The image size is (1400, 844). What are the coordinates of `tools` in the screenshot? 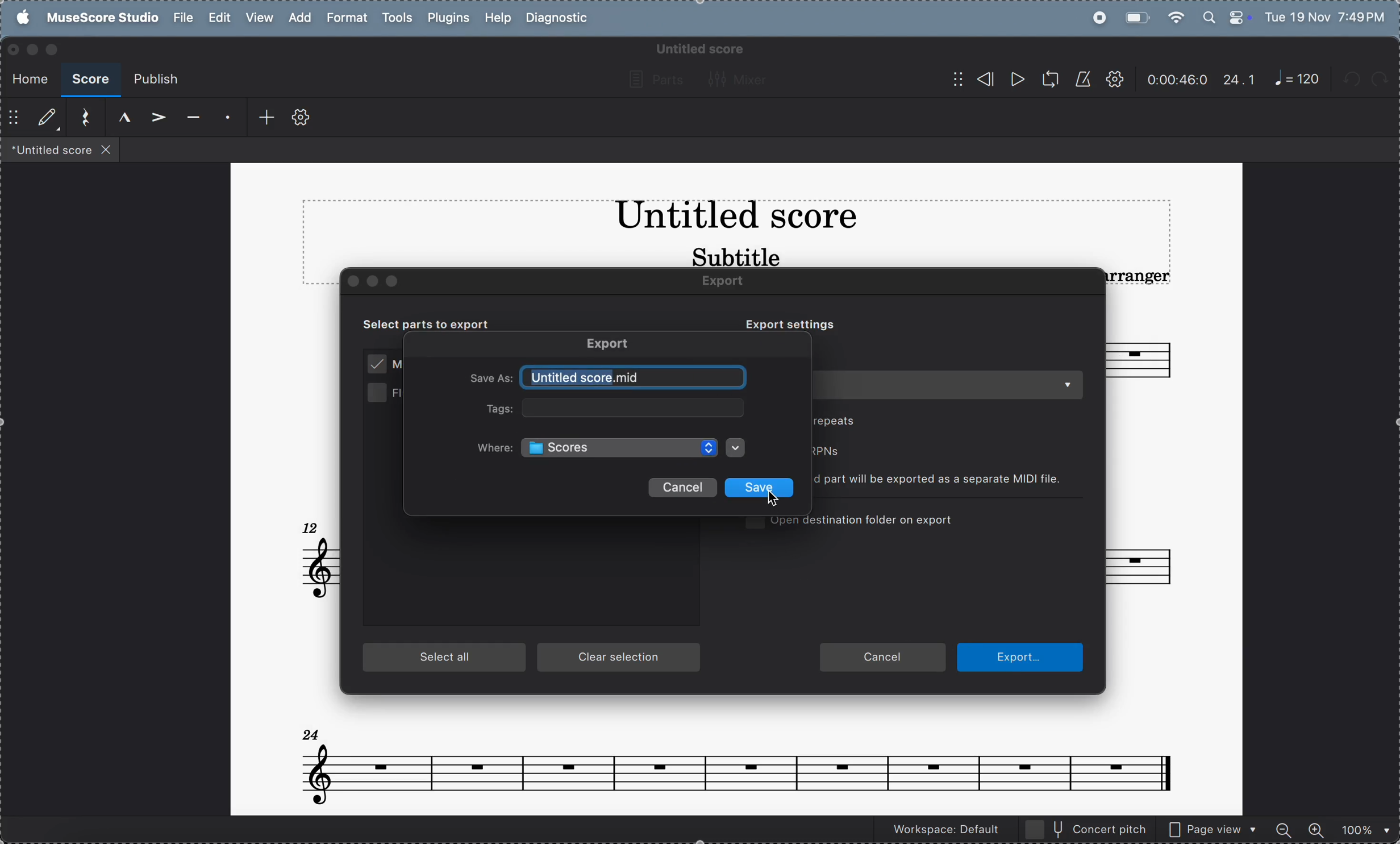 It's located at (397, 19).